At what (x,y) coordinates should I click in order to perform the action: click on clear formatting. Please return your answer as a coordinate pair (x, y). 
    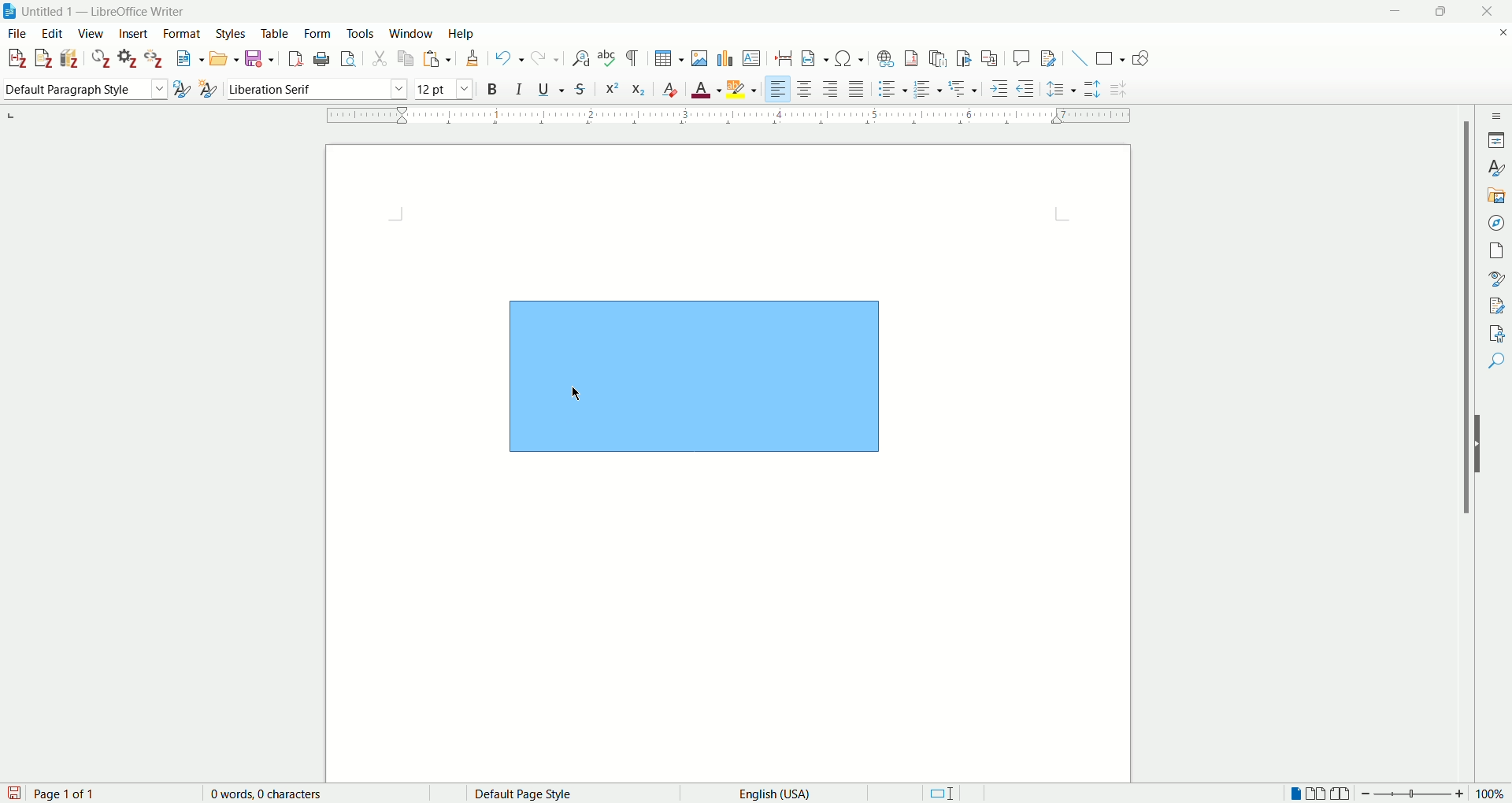
    Looking at the image, I should click on (670, 89).